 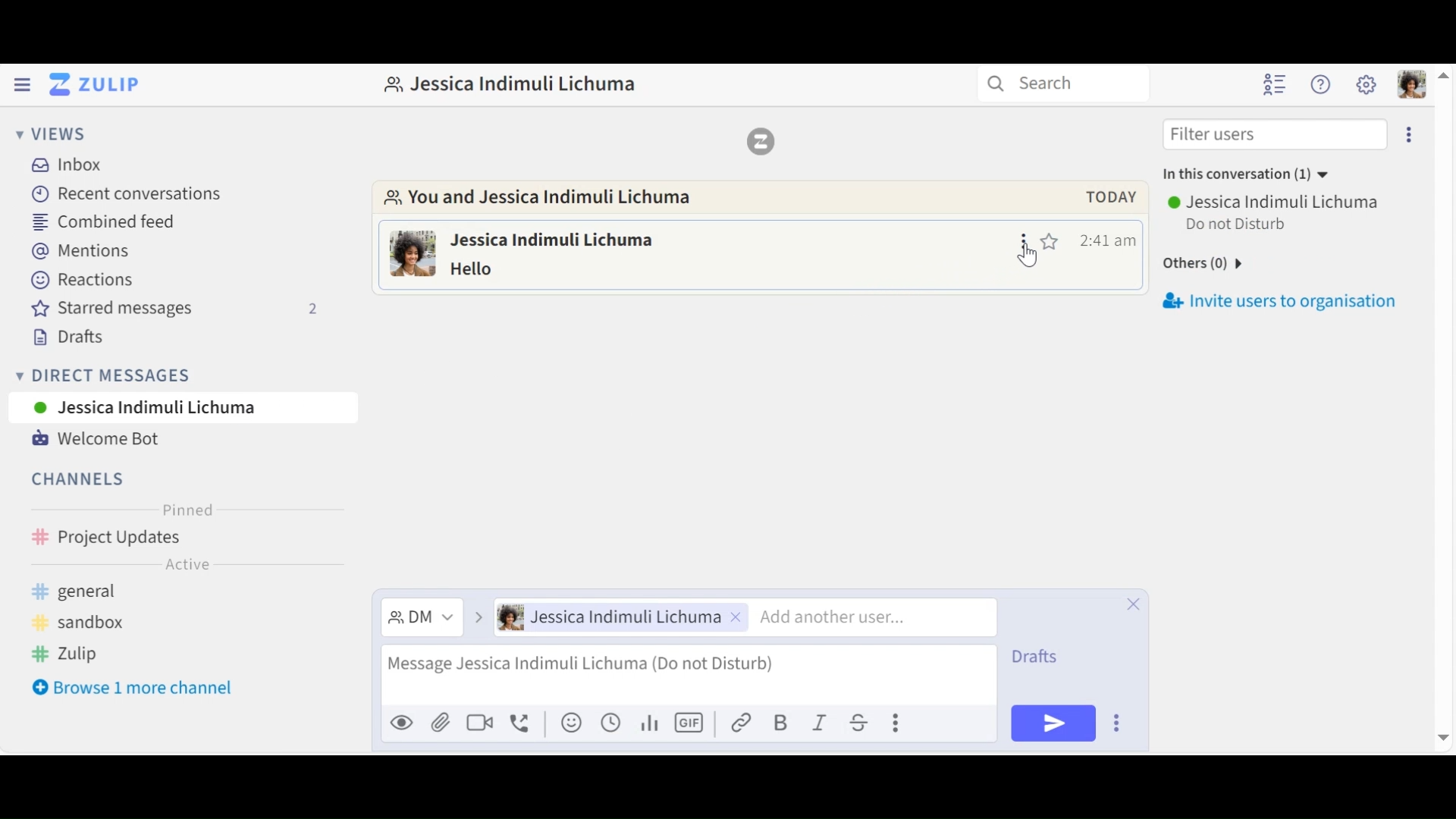 I want to click on Invite users to organisation, so click(x=1412, y=132).